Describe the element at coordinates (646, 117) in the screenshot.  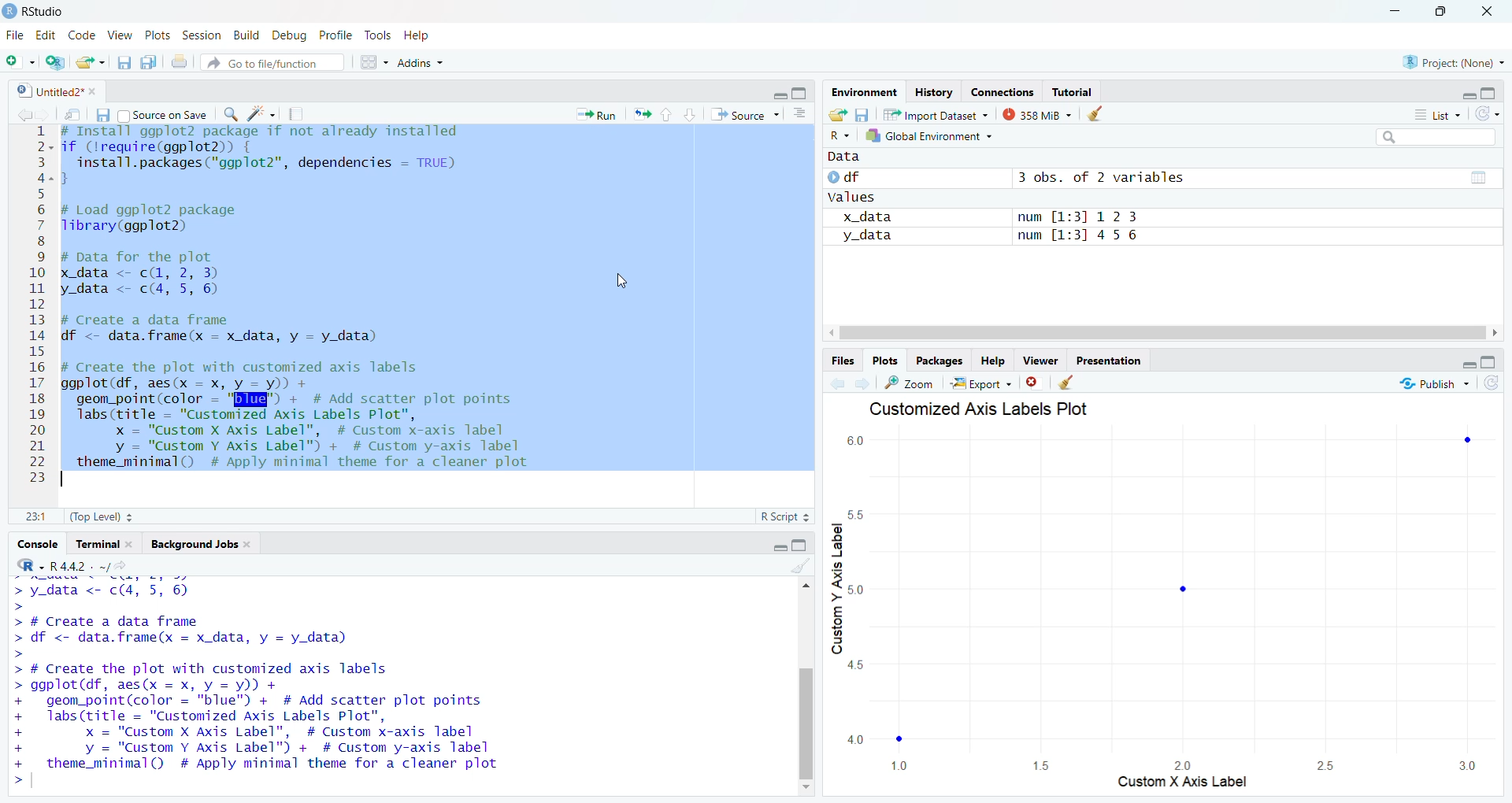
I see `export` at that location.